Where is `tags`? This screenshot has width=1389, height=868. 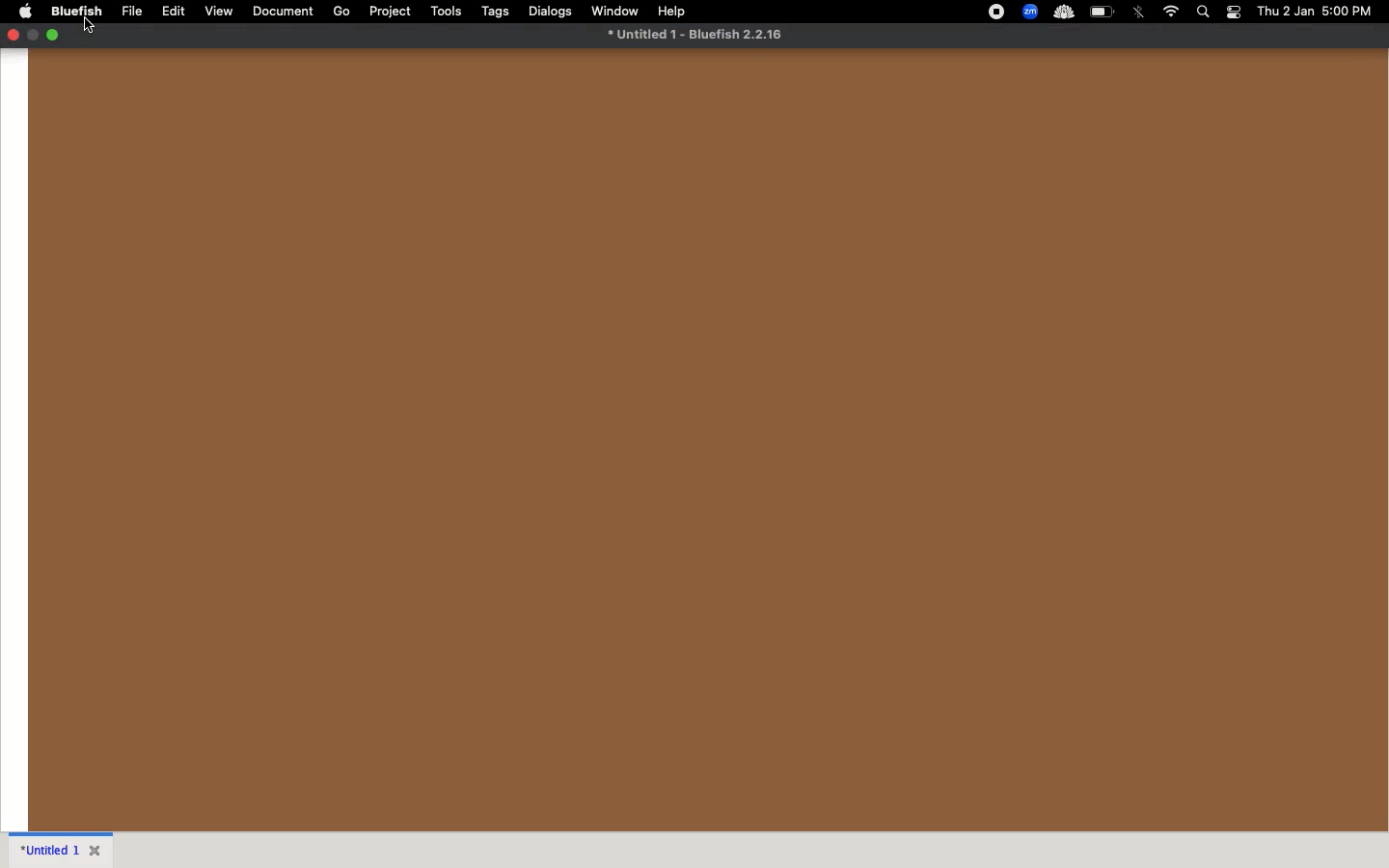
tags is located at coordinates (499, 12).